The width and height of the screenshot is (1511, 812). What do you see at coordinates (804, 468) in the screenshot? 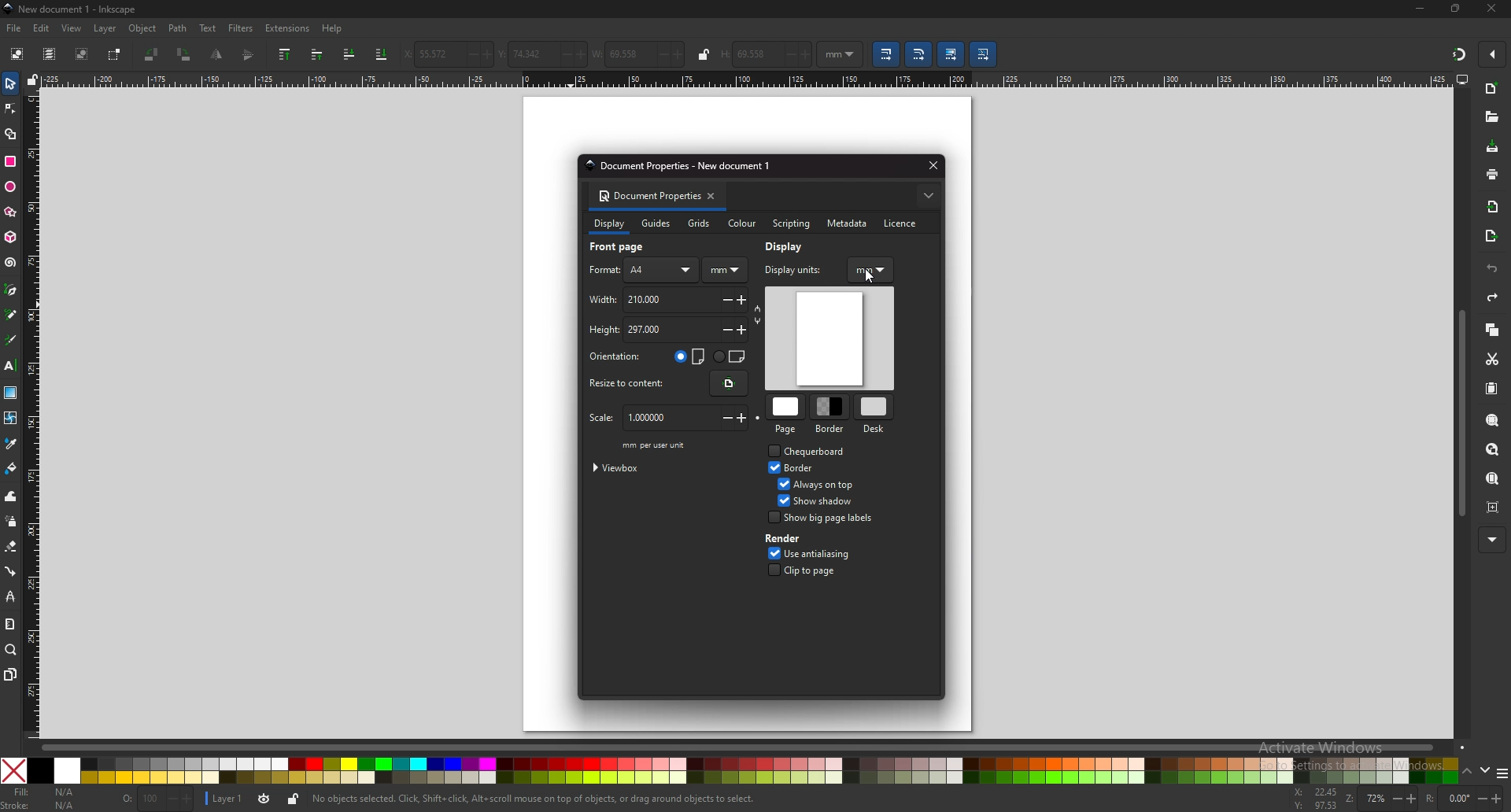
I see `border` at bounding box center [804, 468].